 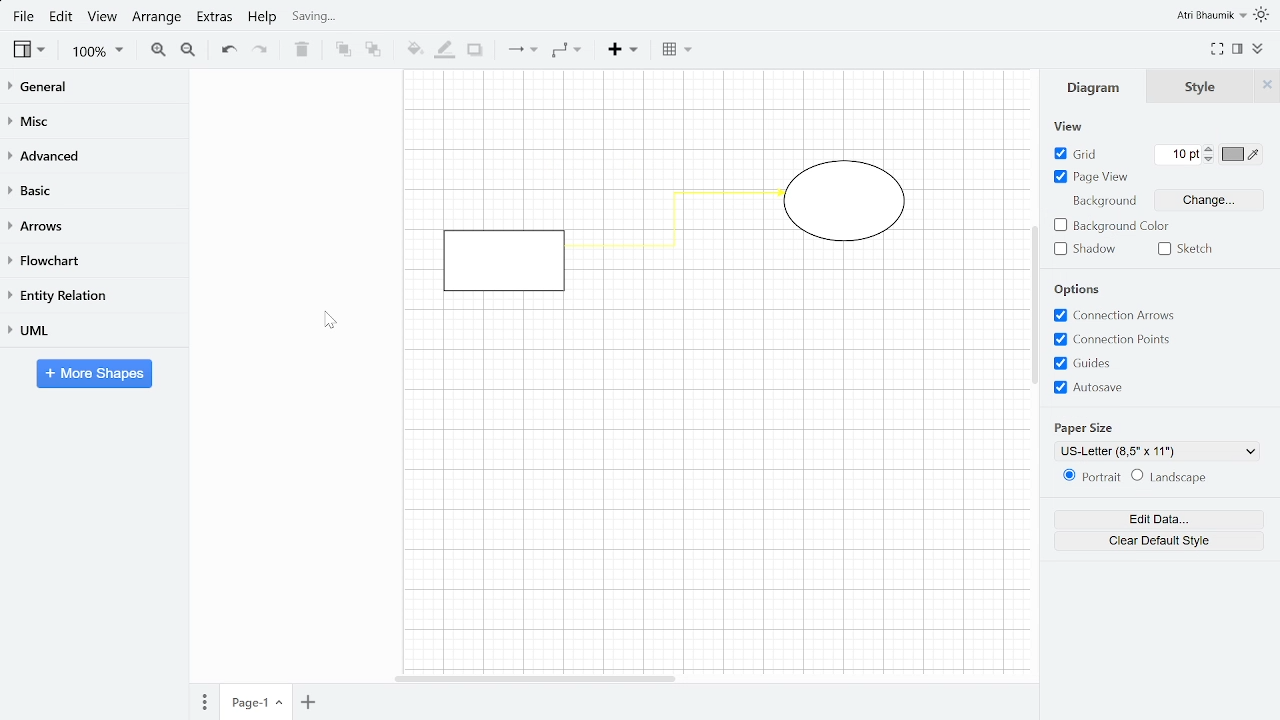 I want to click on Arrange, so click(x=158, y=19).